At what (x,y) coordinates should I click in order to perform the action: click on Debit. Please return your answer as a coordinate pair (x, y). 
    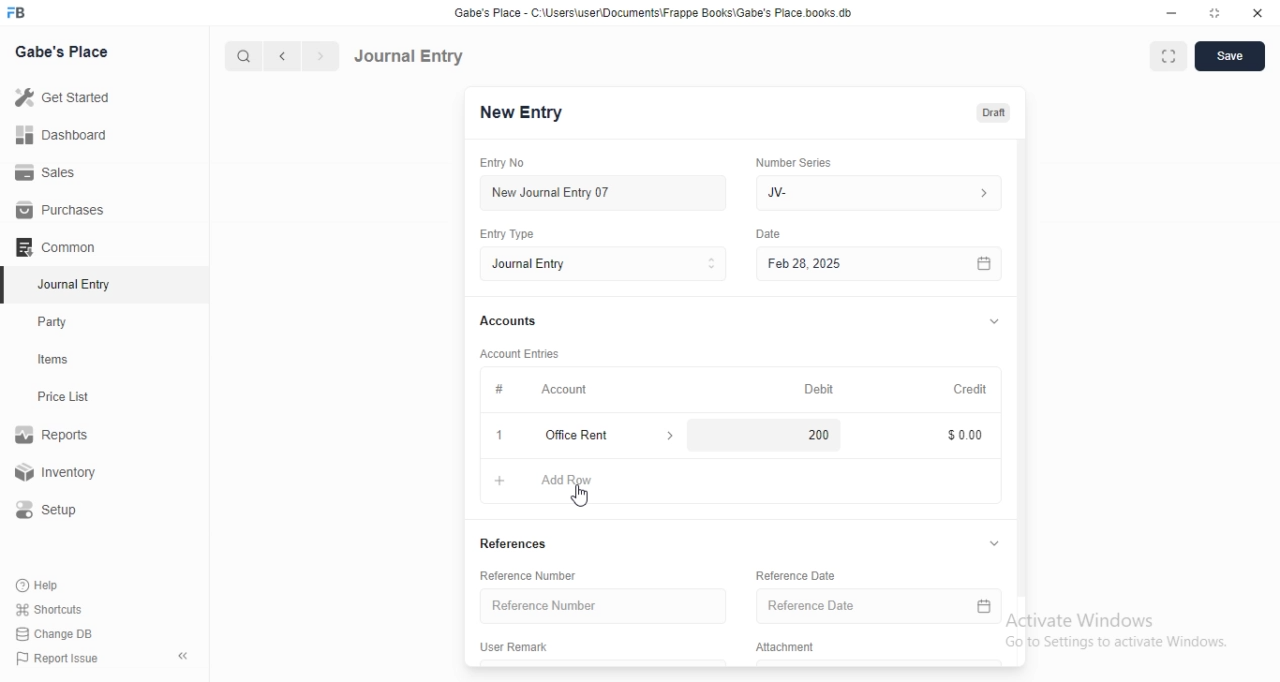
    Looking at the image, I should click on (815, 387).